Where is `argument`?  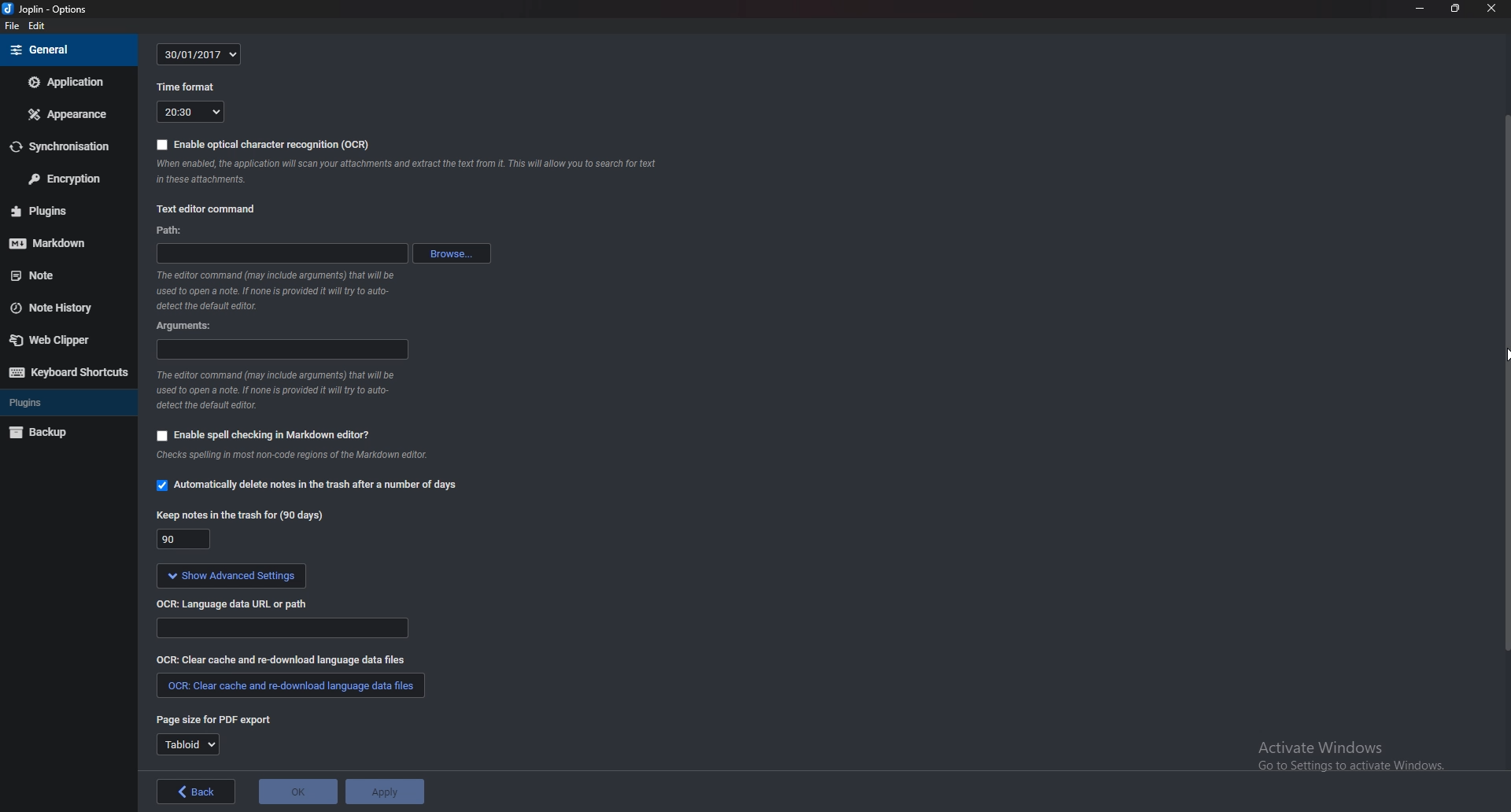 argument is located at coordinates (282, 350).